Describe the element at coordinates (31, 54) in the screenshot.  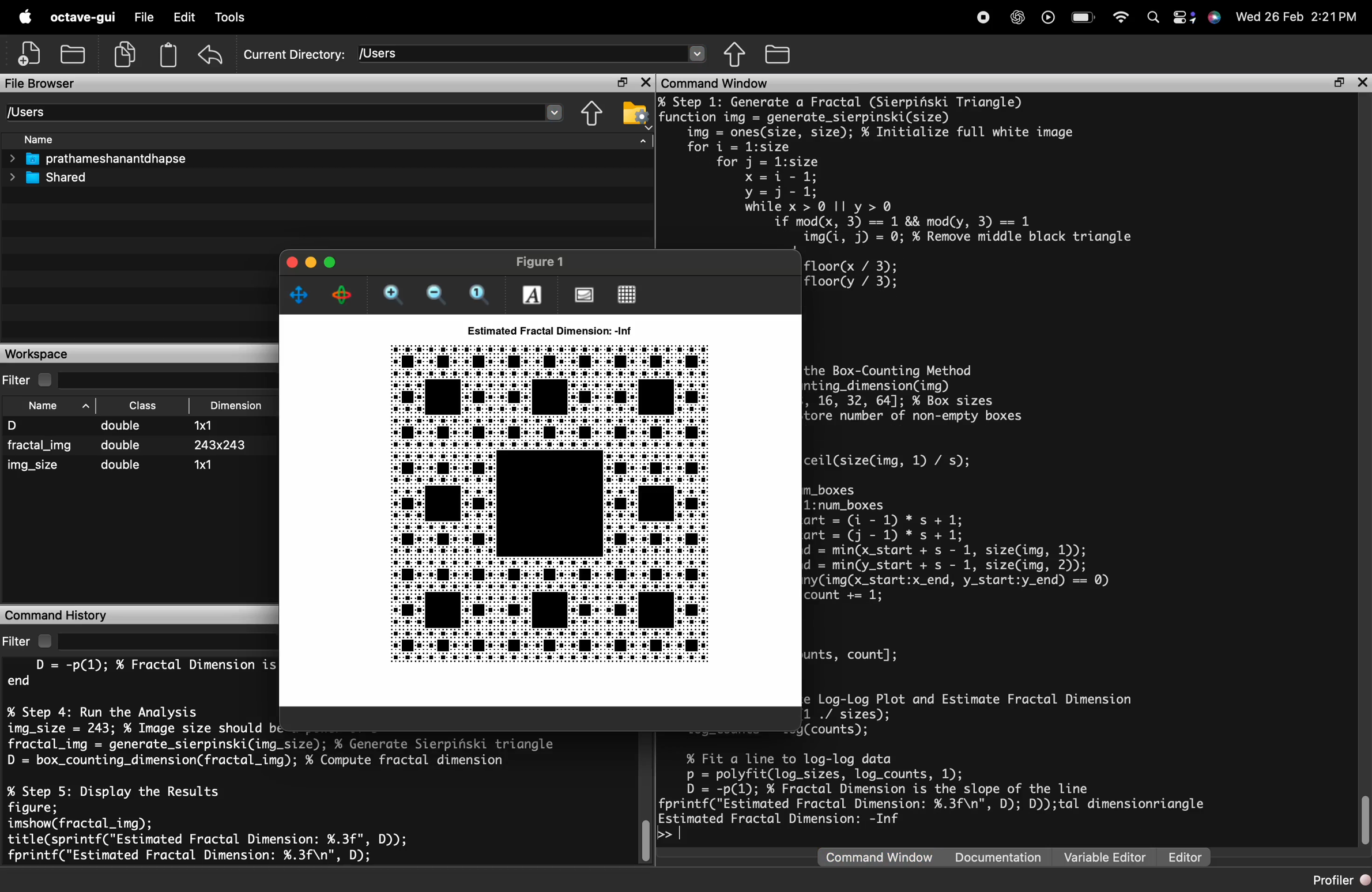
I see `add` at that location.